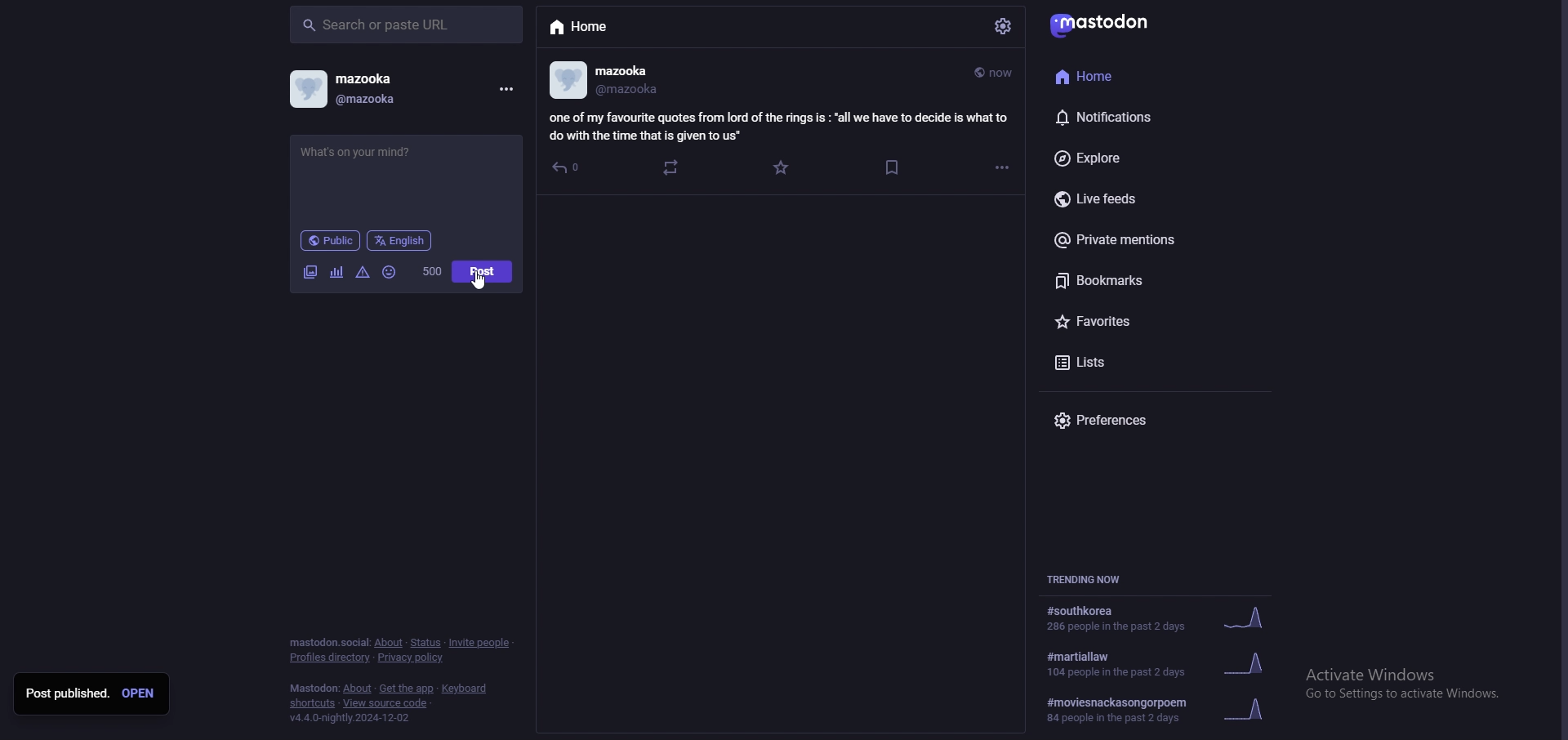  Describe the element at coordinates (1133, 362) in the screenshot. I see `lists` at that location.